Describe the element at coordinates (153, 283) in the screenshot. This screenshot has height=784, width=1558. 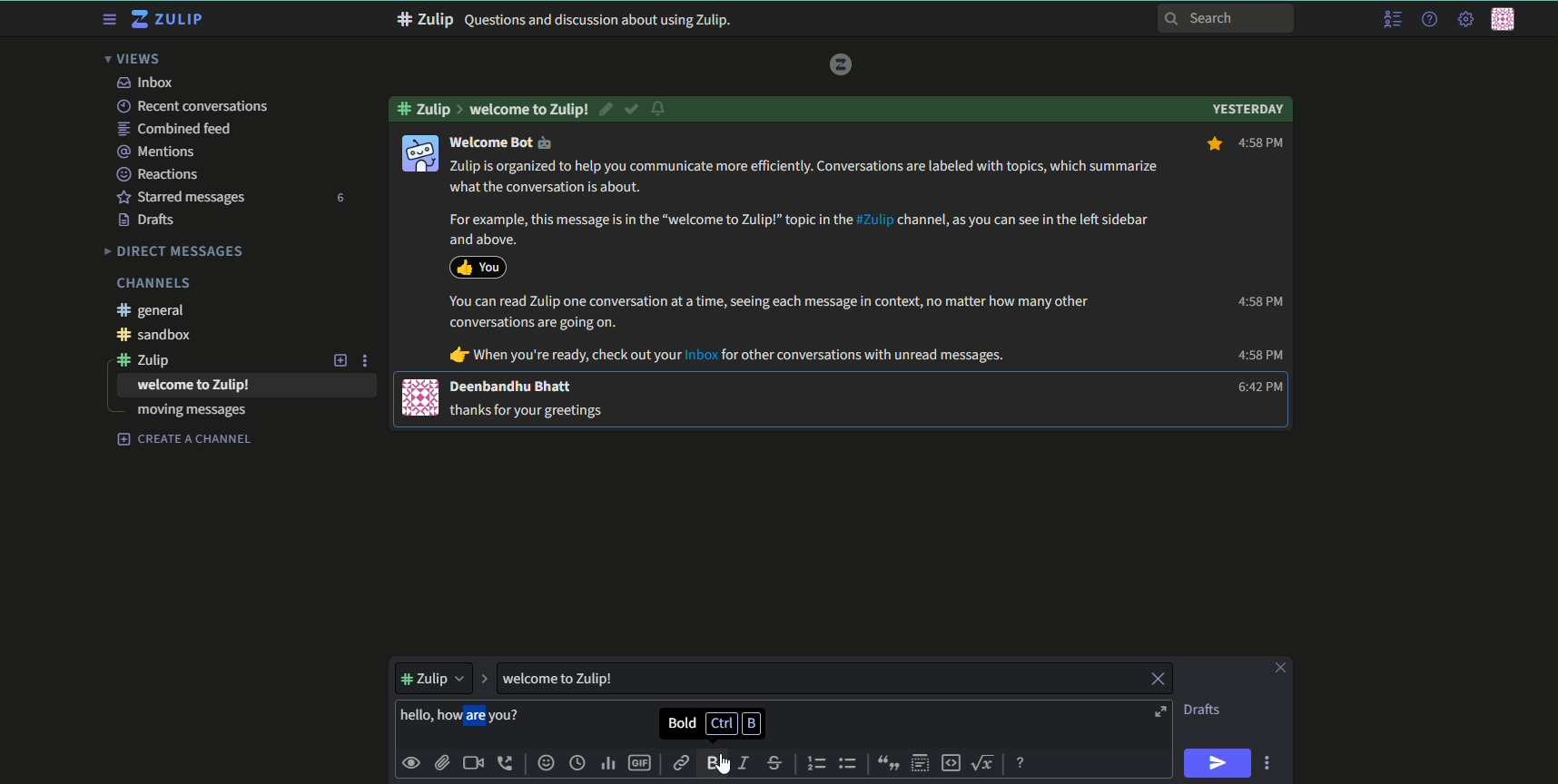
I see `Channels` at that location.